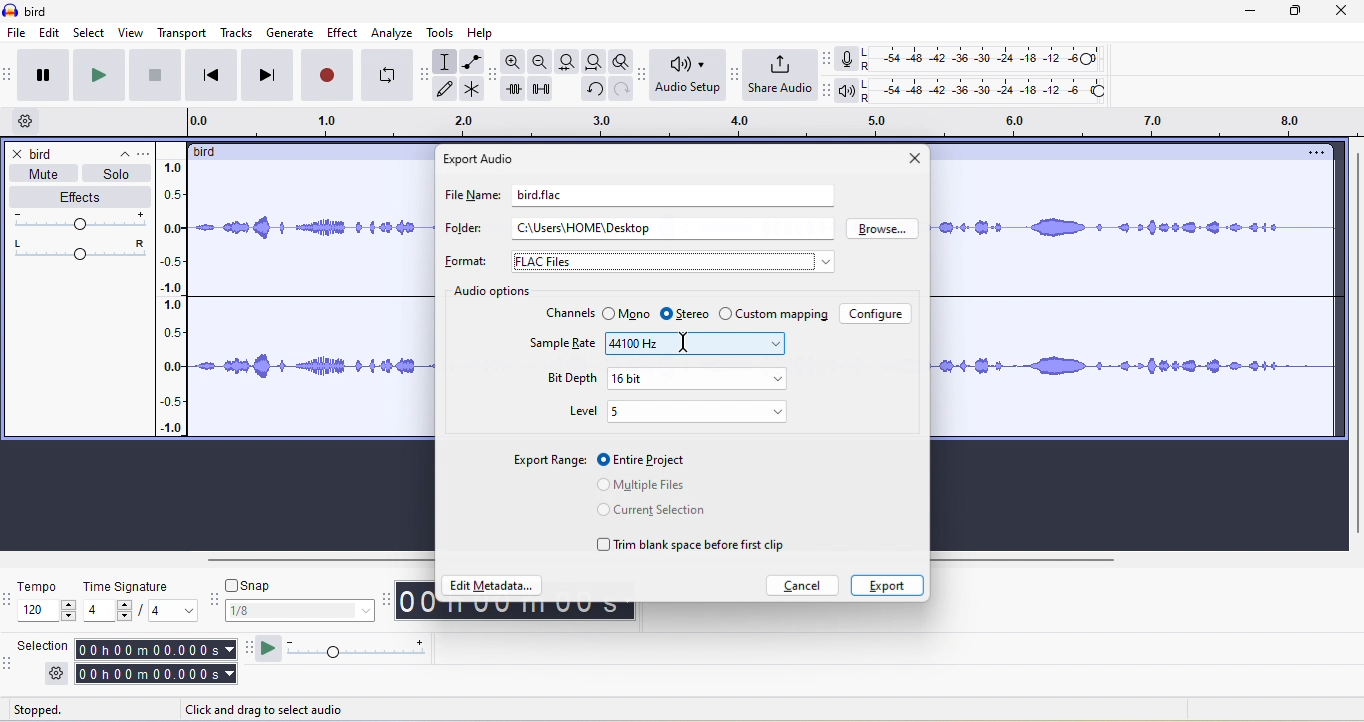 This screenshot has height=722, width=1364. What do you see at coordinates (51, 34) in the screenshot?
I see `edit` at bounding box center [51, 34].